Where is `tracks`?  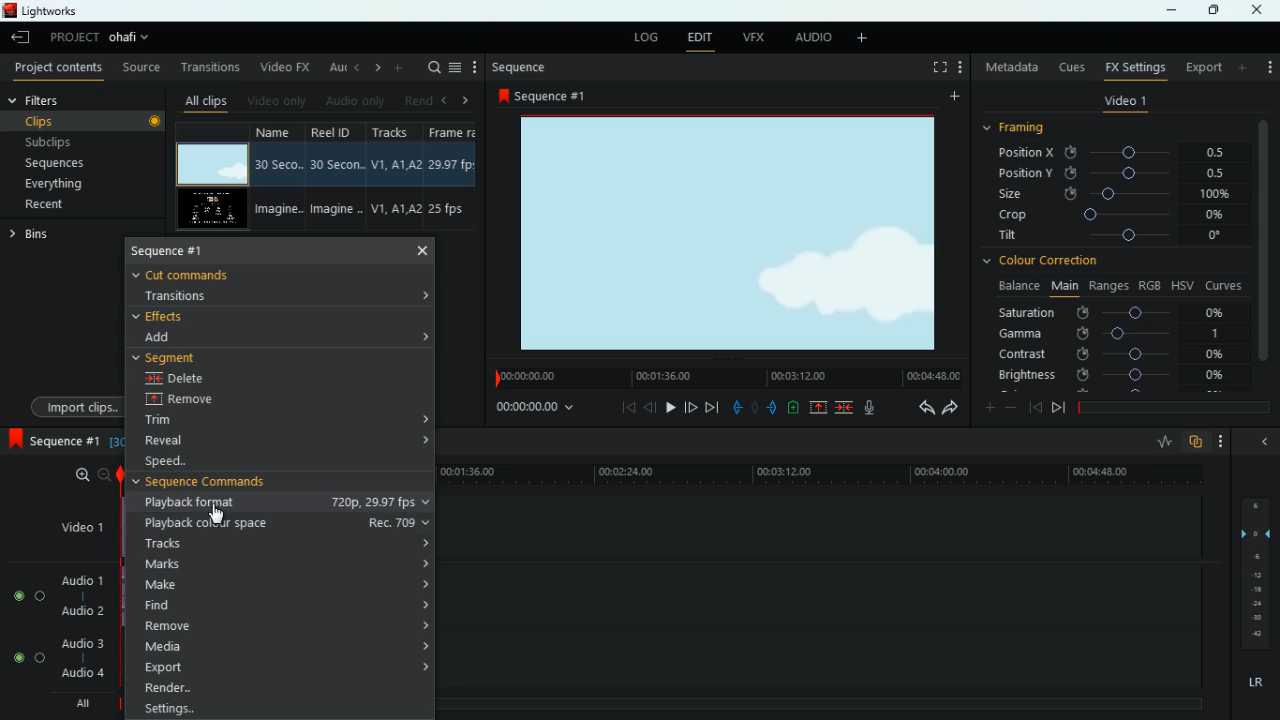
tracks is located at coordinates (393, 177).